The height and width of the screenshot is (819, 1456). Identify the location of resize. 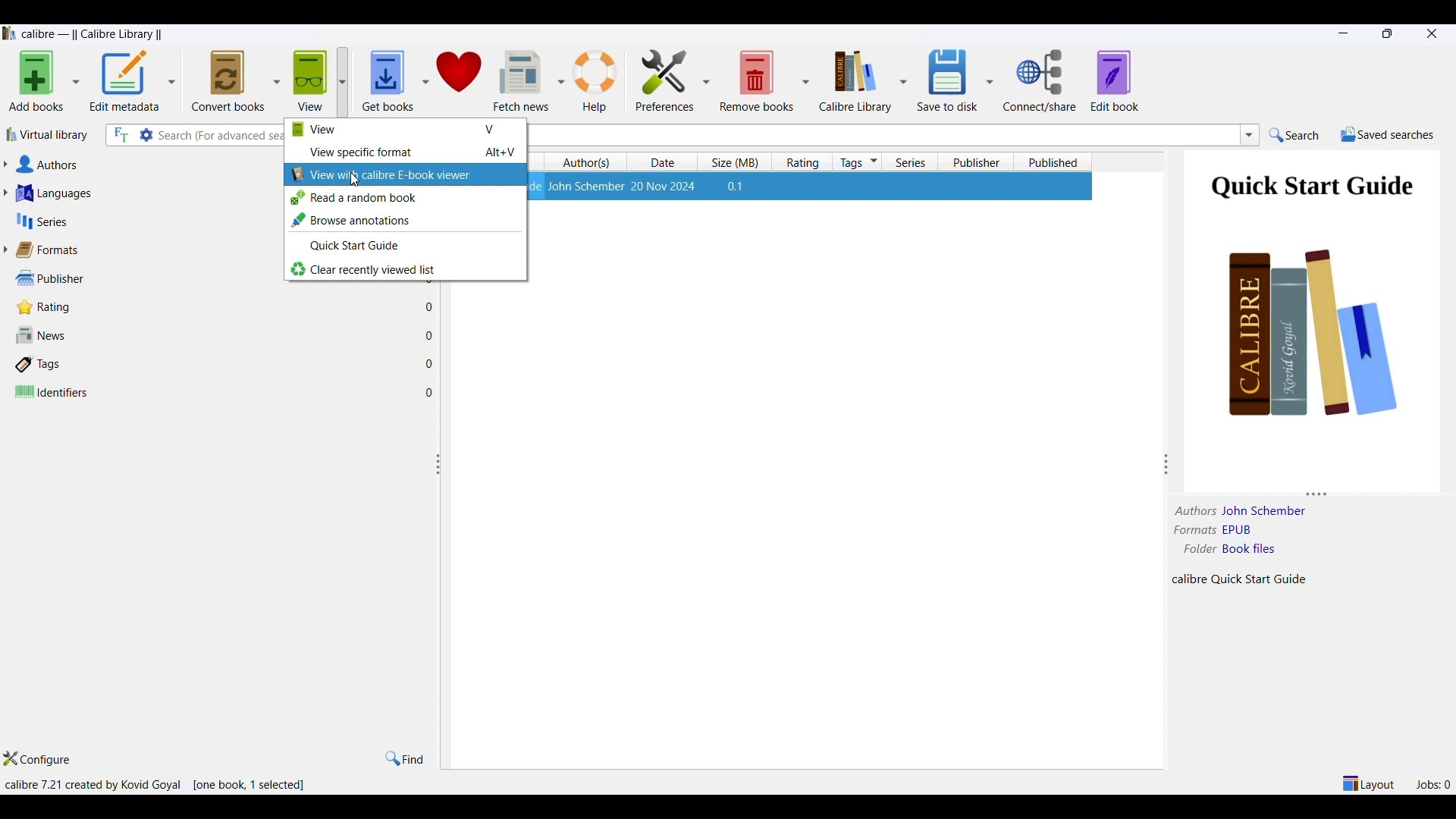
(440, 464).